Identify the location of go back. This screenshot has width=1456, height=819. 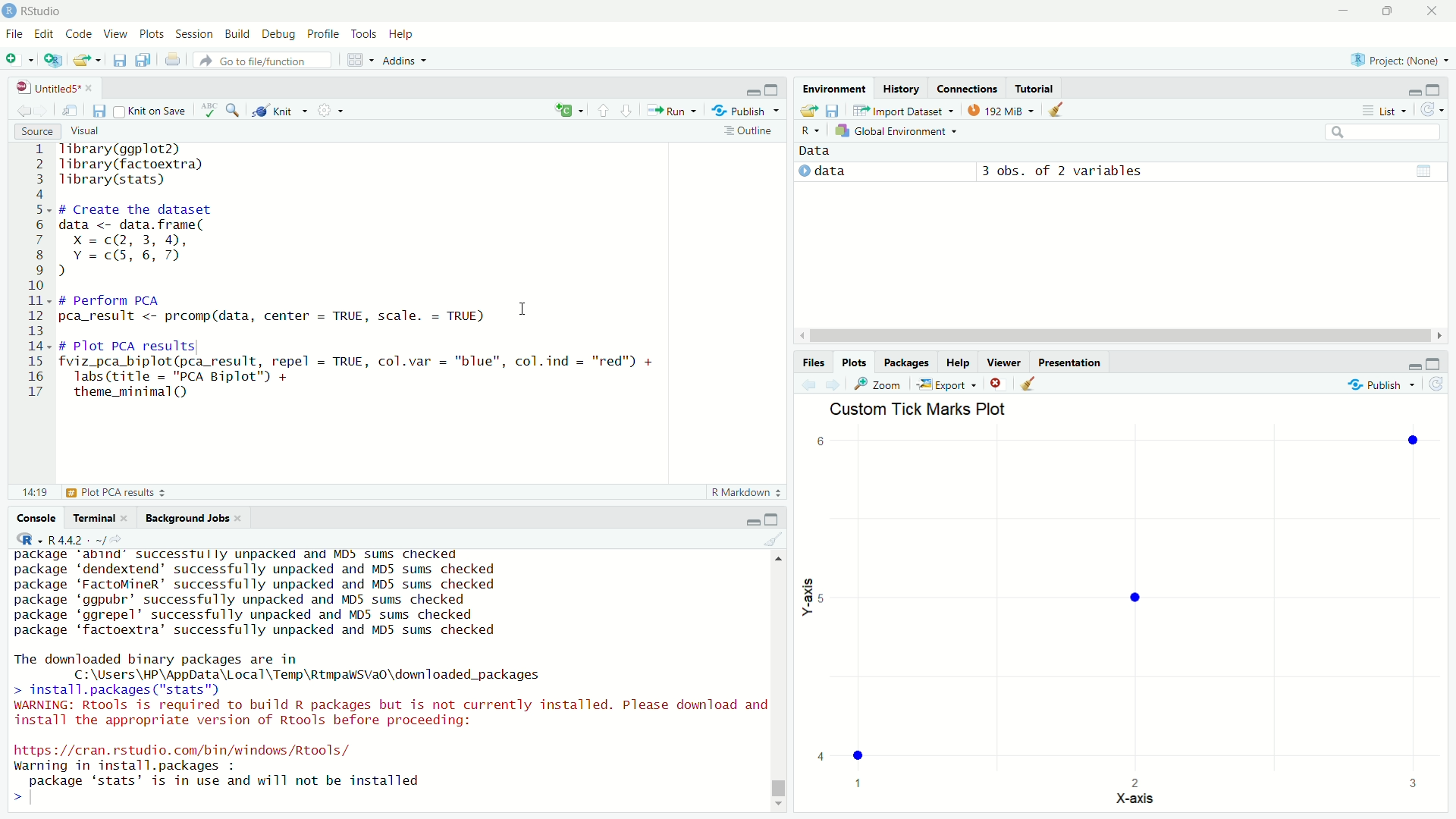
(811, 384).